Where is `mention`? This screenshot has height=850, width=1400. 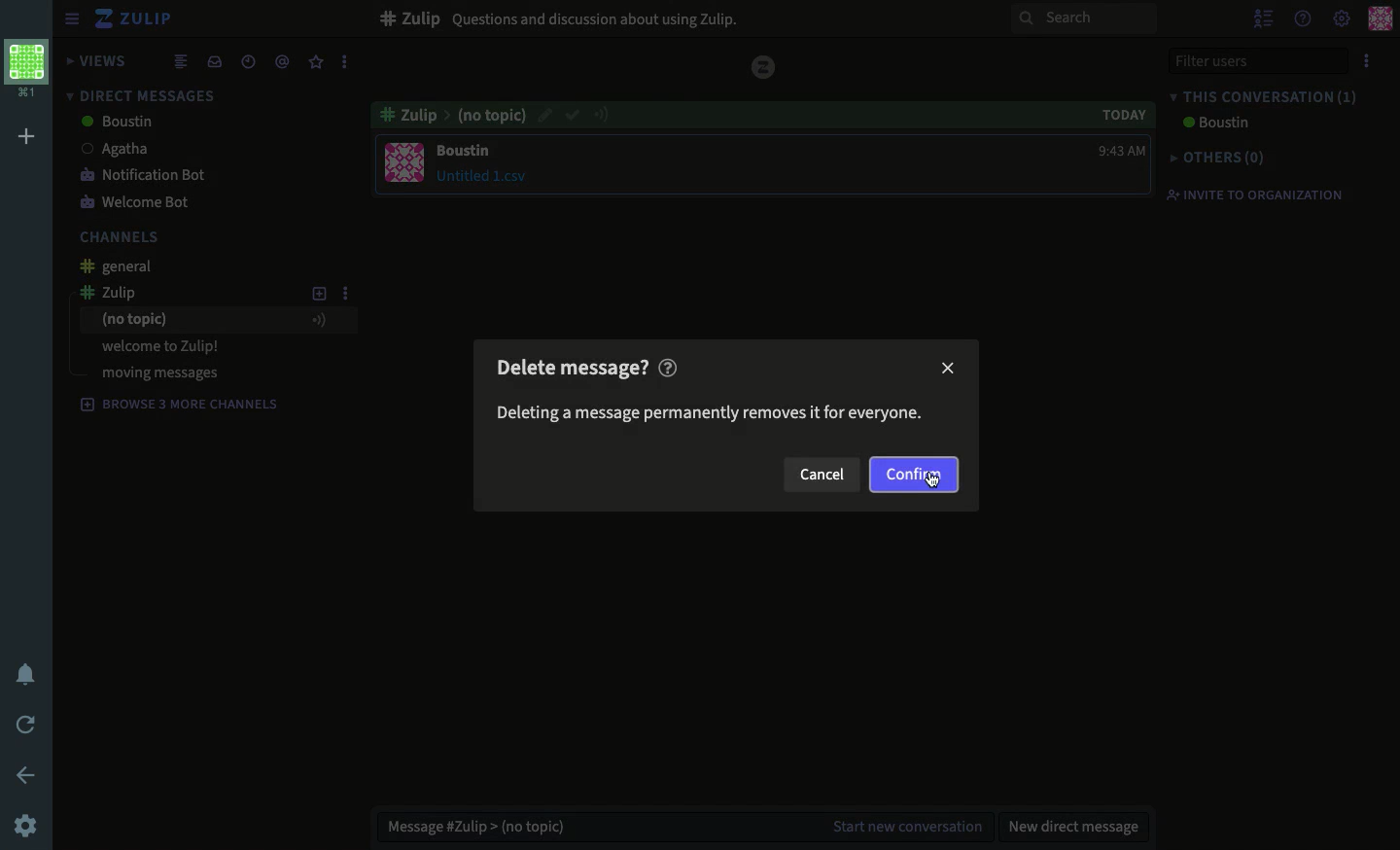
mention is located at coordinates (283, 64).